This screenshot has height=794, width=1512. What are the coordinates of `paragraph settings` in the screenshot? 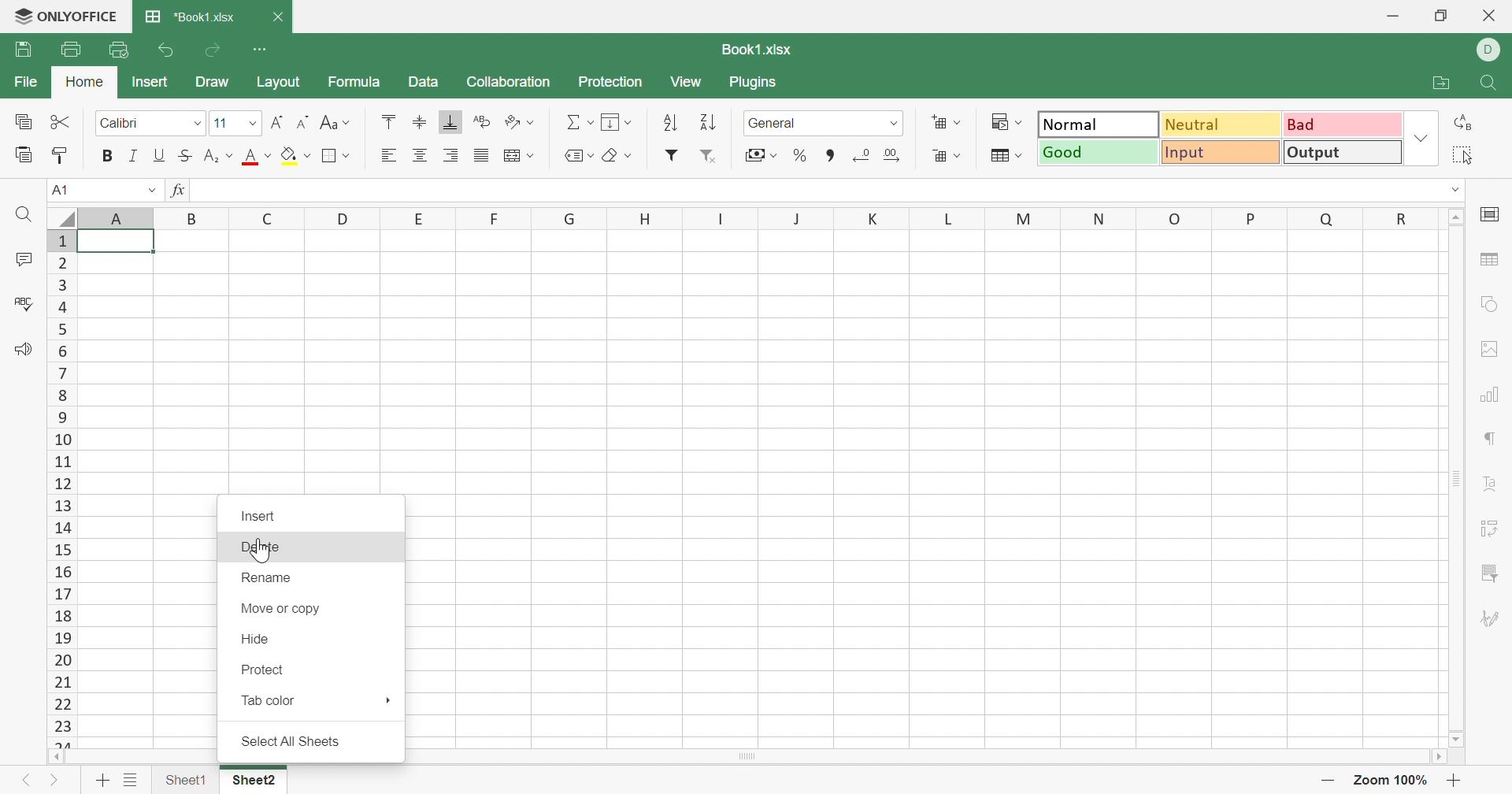 It's located at (1494, 440).